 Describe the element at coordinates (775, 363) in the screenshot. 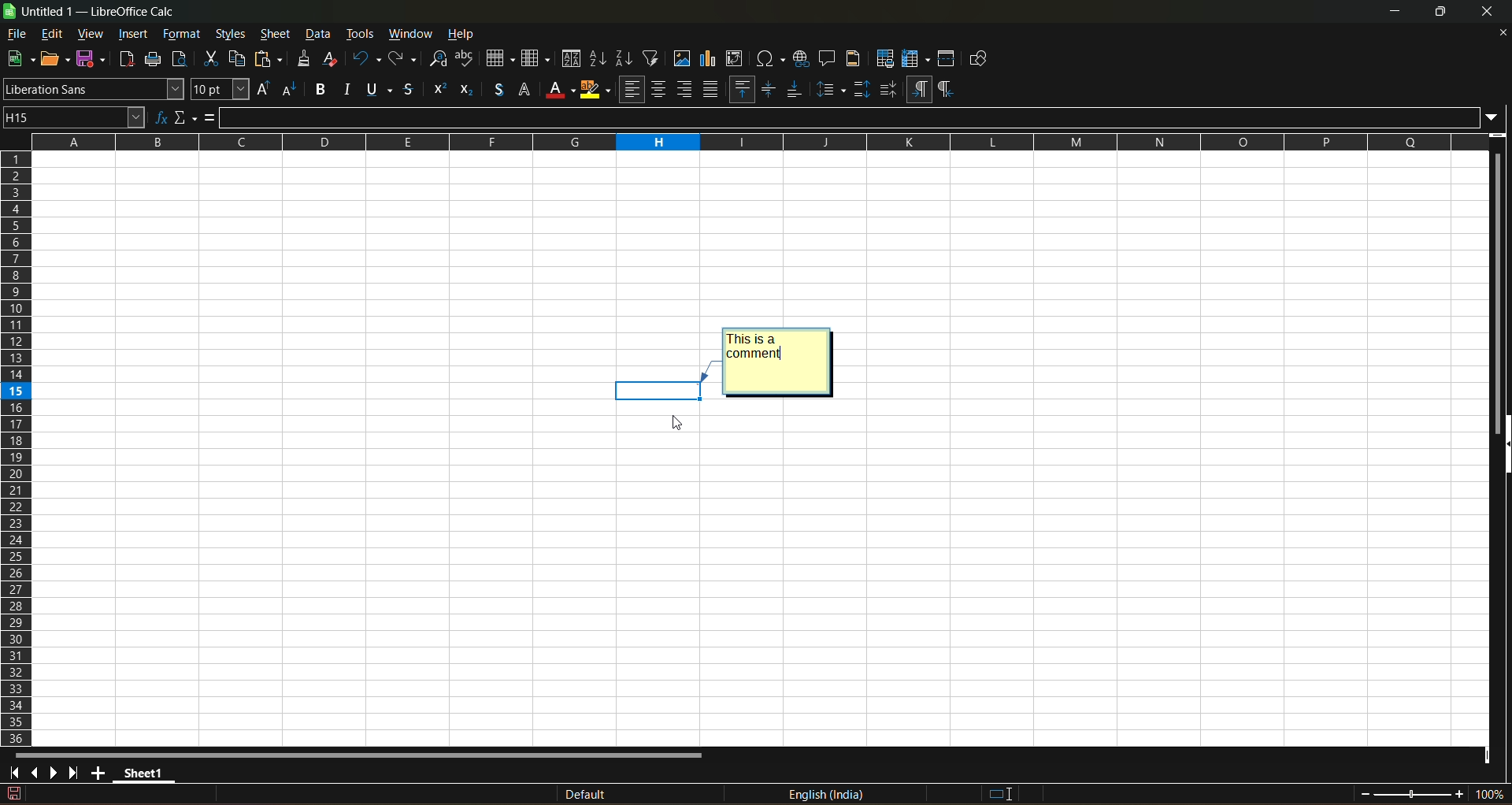

I see `Adding comment ` at that location.